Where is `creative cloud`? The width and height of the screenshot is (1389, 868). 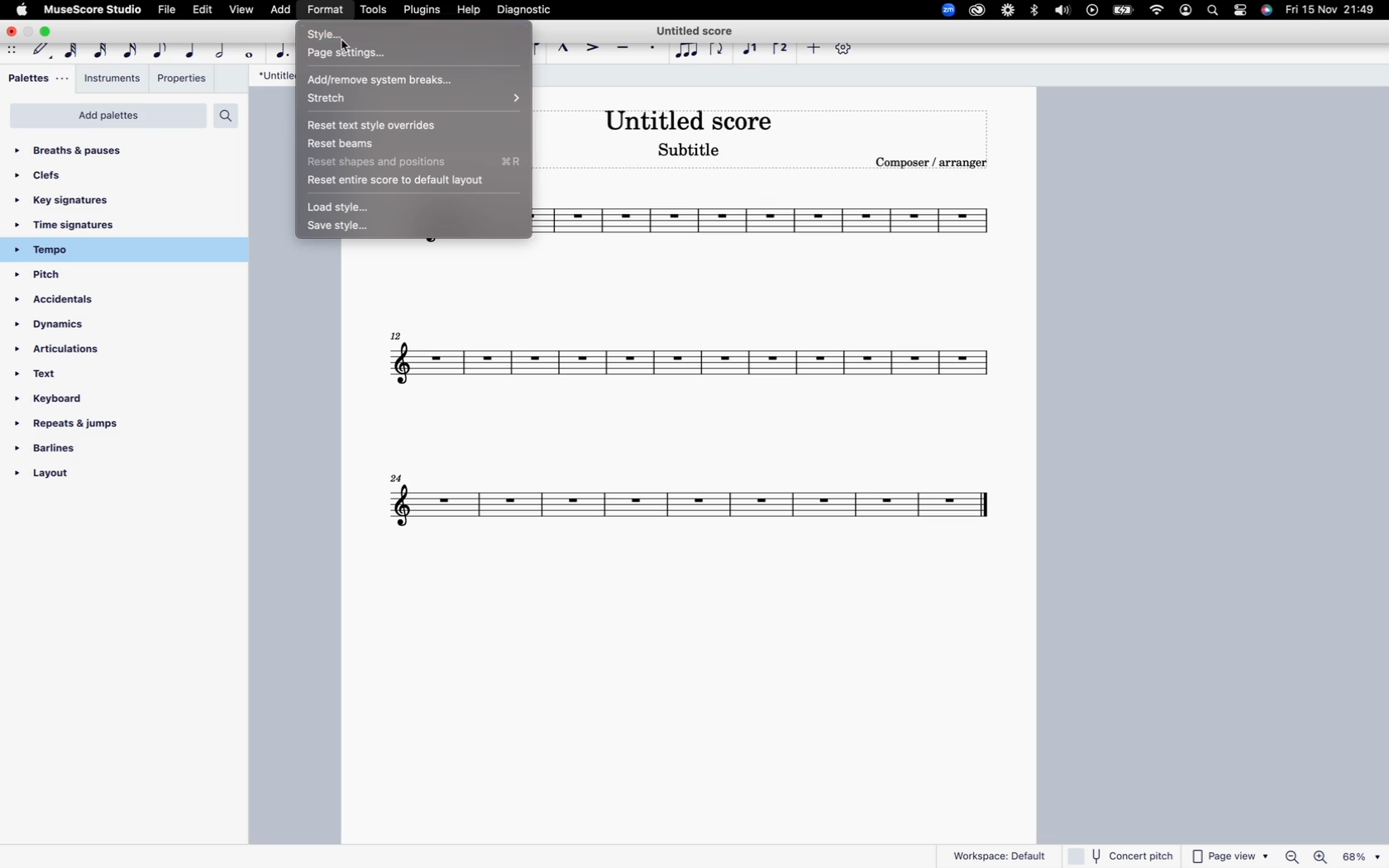 creative cloud is located at coordinates (977, 9).